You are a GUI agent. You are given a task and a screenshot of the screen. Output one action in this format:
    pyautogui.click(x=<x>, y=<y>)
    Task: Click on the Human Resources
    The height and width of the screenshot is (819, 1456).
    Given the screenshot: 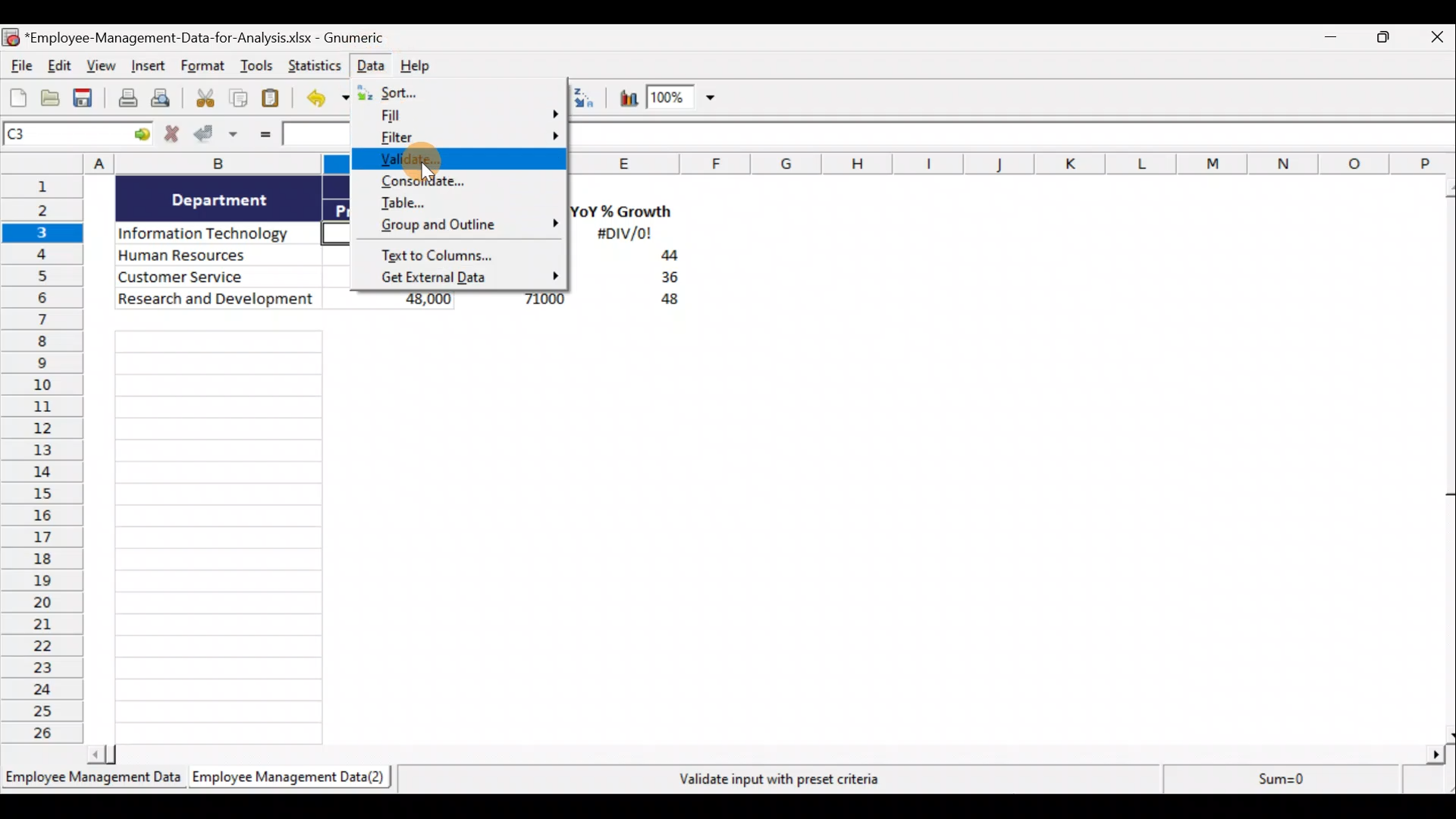 What is the action you would take?
    pyautogui.click(x=215, y=256)
    